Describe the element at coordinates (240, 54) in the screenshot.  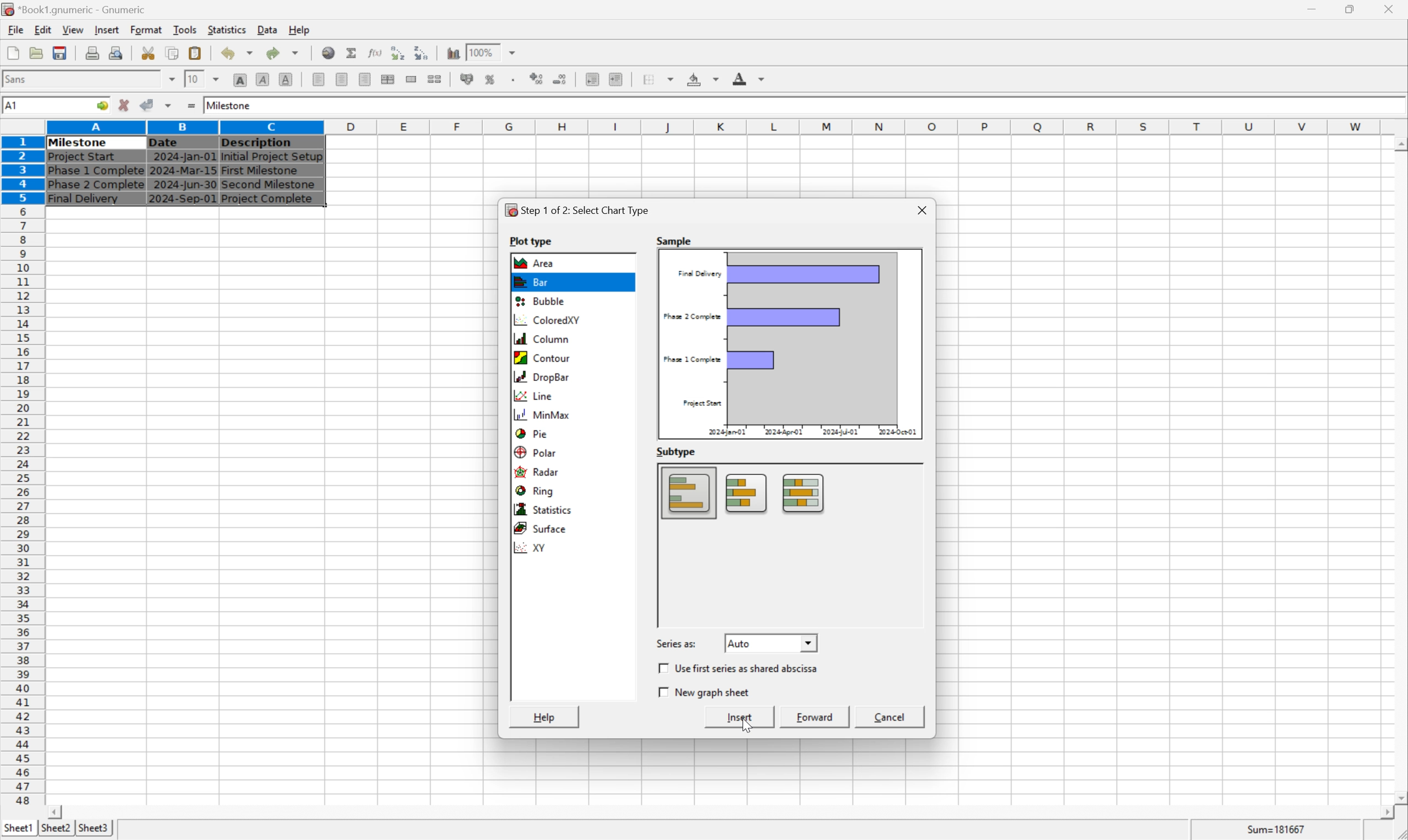
I see `undo` at that location.